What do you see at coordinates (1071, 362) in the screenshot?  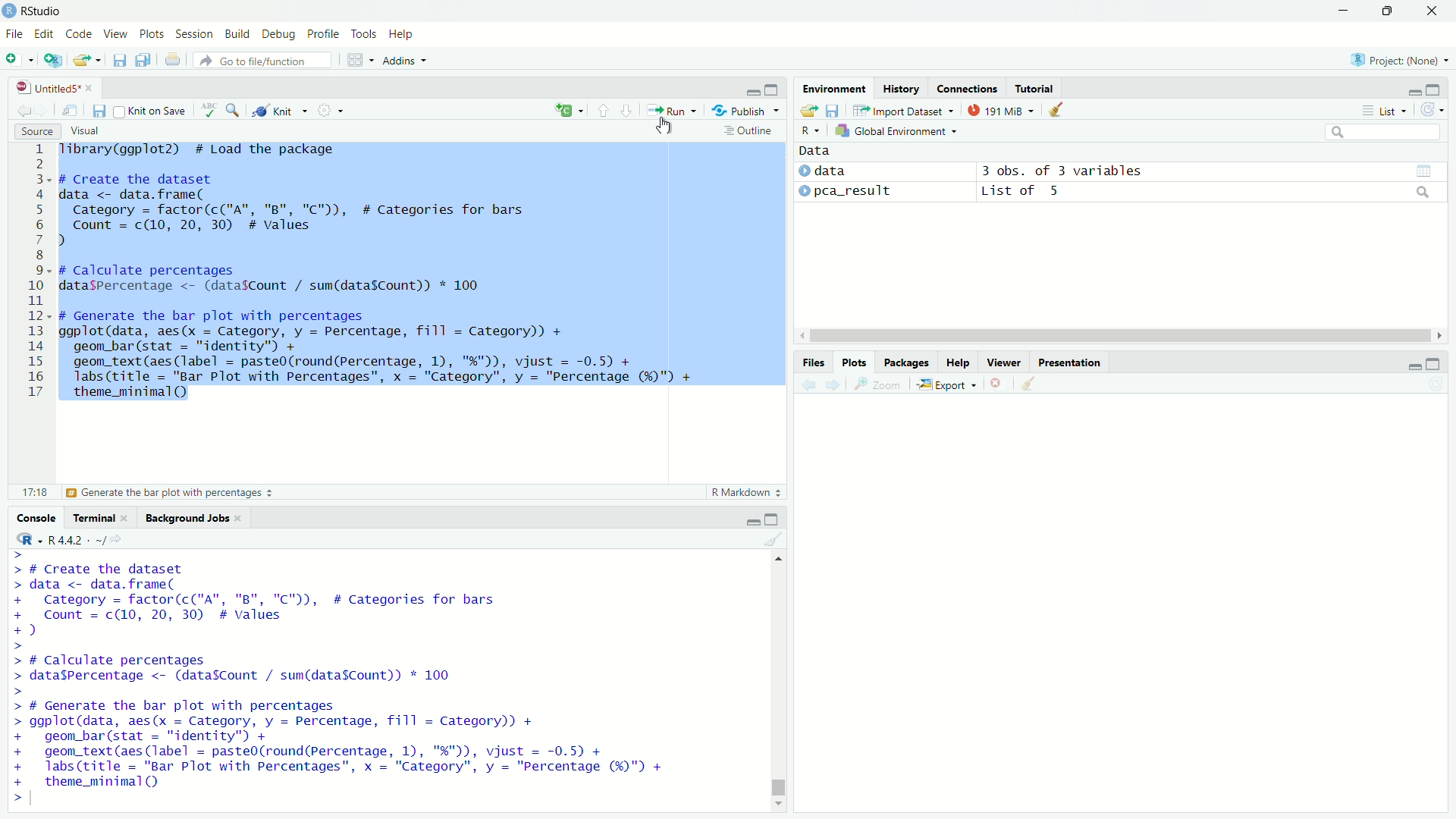 I see `presentation` at bounding box center [1071, 362].